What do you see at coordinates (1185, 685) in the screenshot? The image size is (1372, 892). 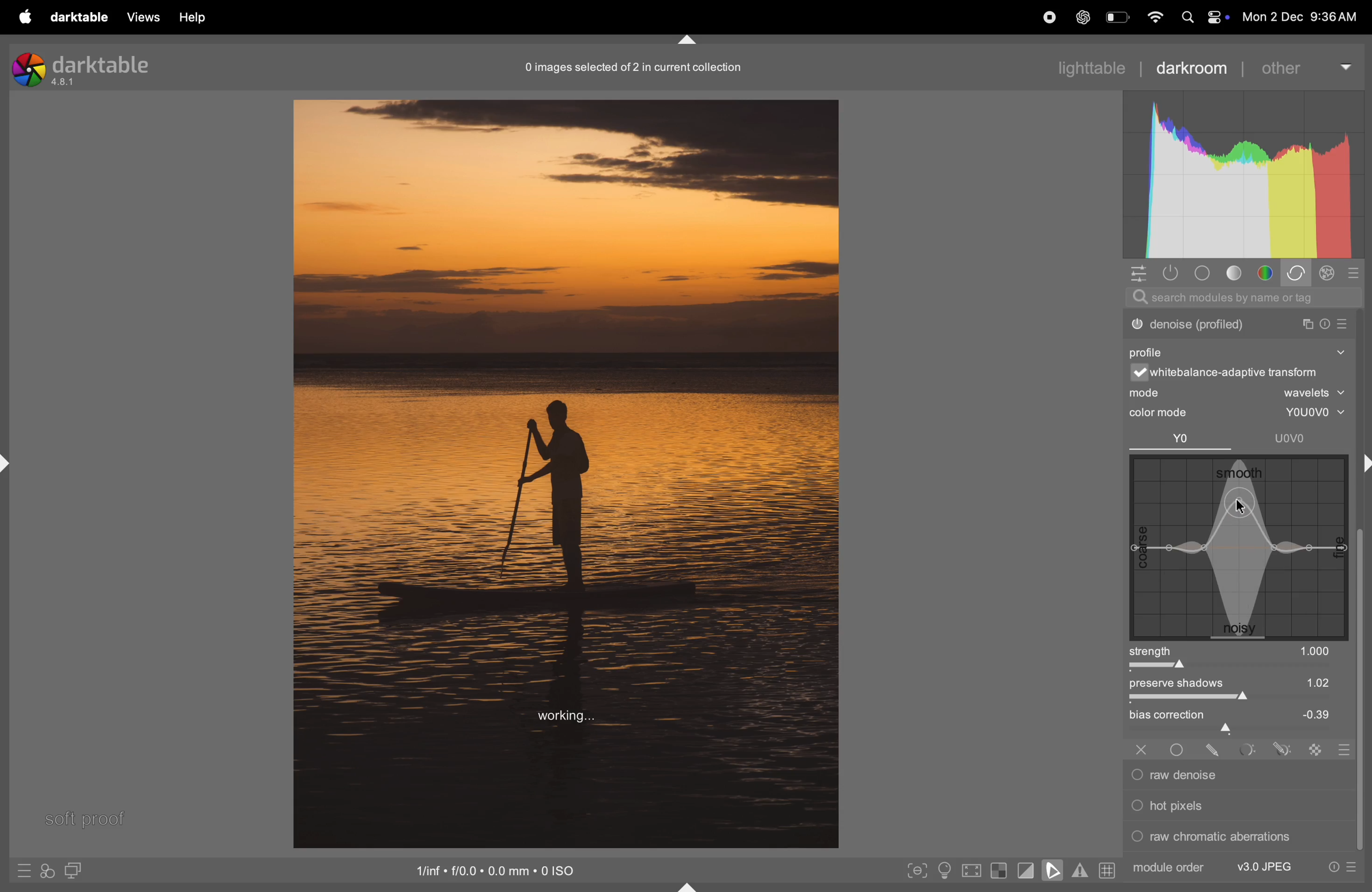 I see `preserve shadows` at bounding box center [1185, 685].